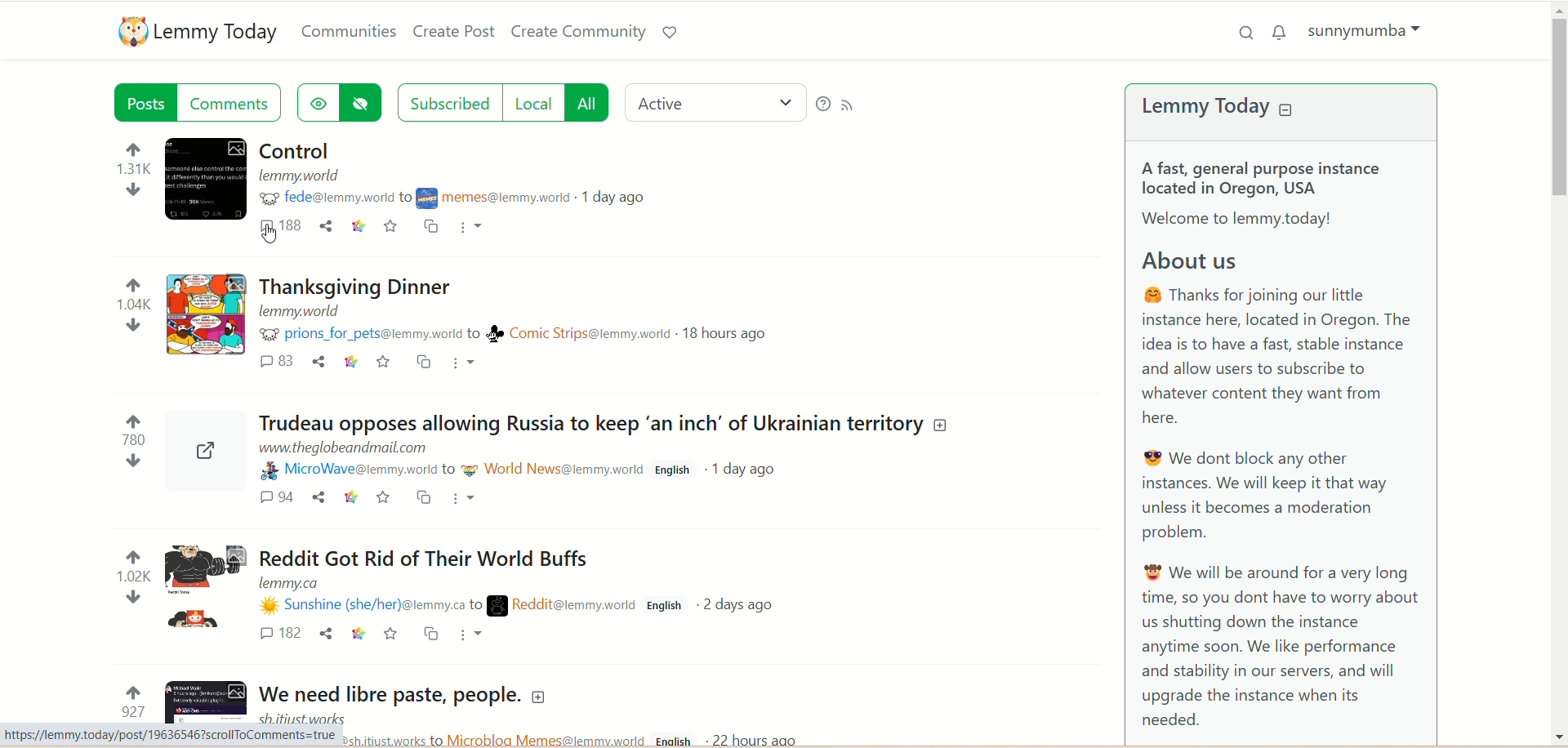  I want to click on Expand the post with the image details, so click(204, 178).